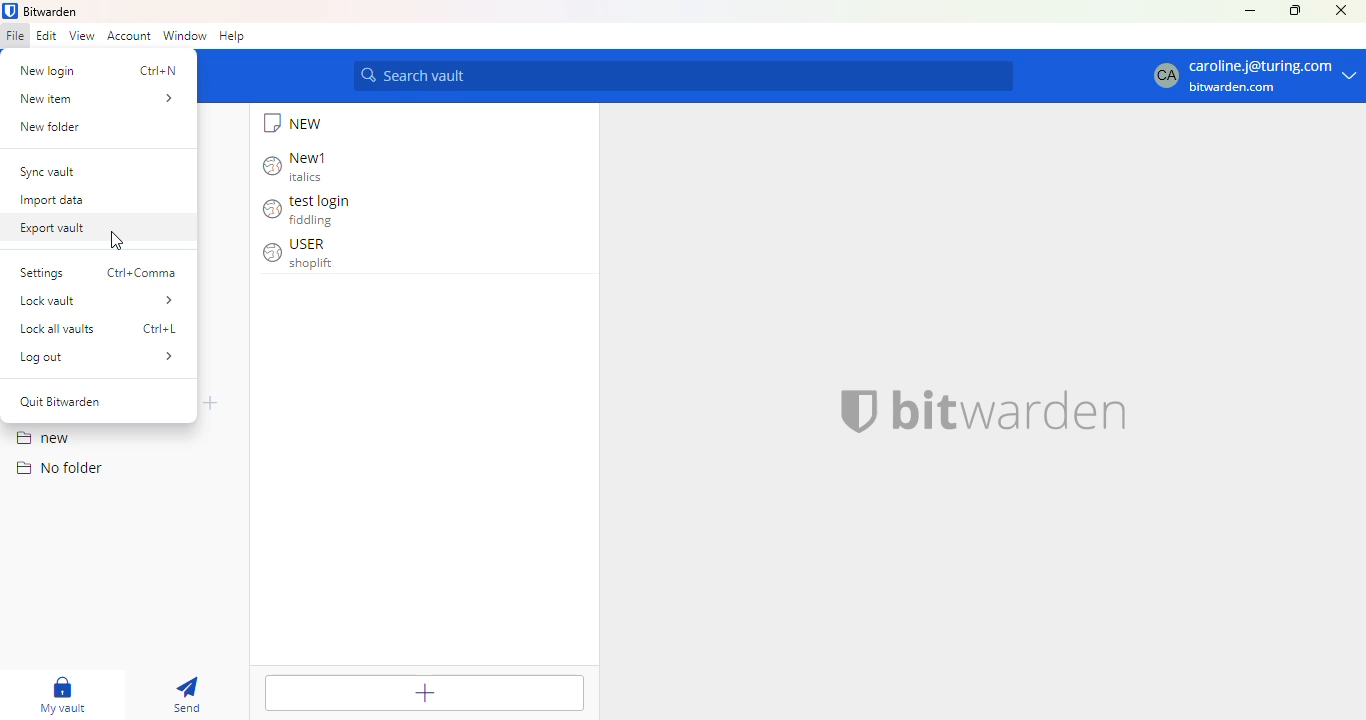 Image resolution: width=1366 pixels, height=720 pixels. What do you see at coordinates (83, 36) in the screenshot?
I see `view` at bounding box center [83, 36].